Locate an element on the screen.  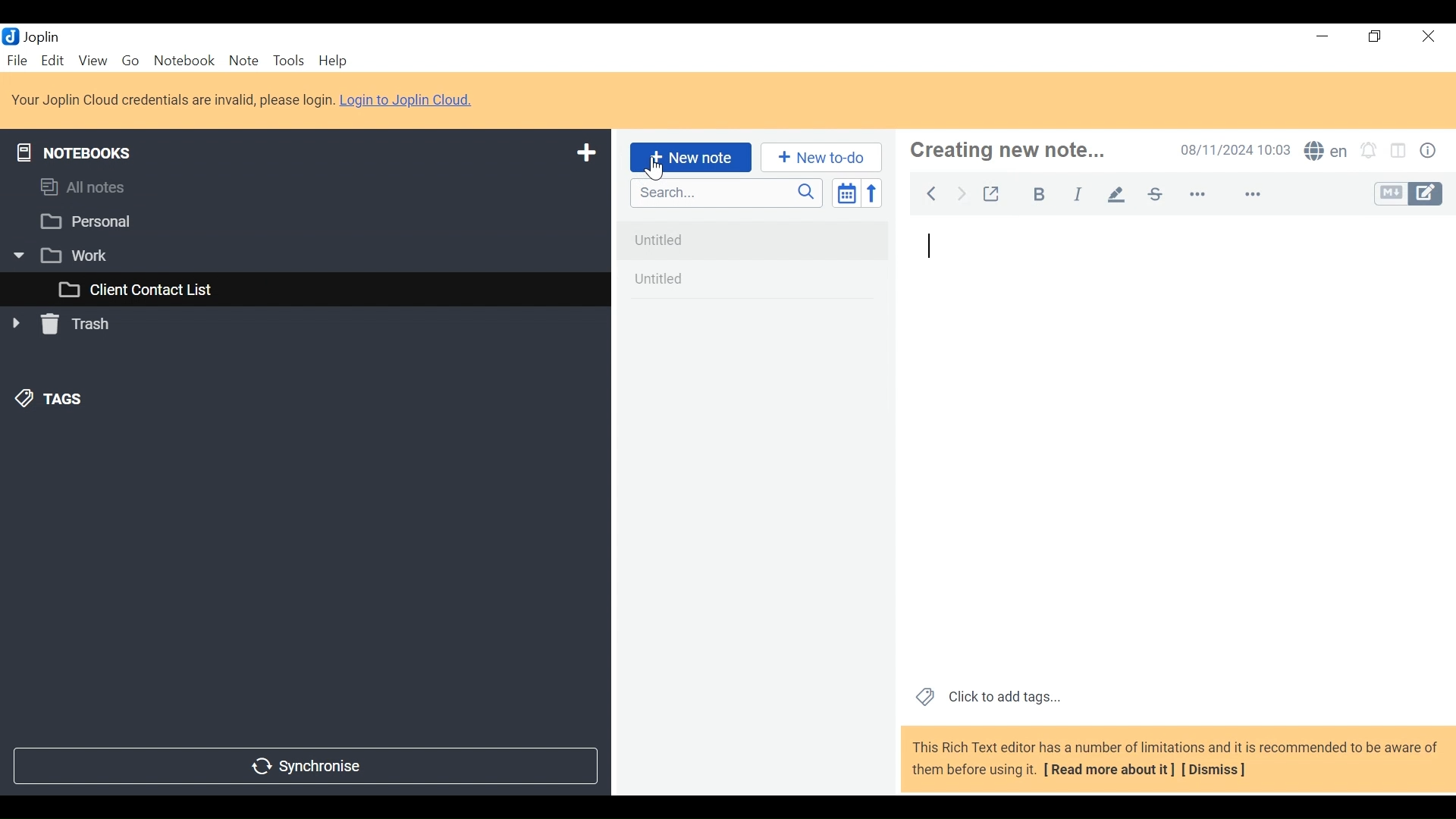
Note is located at coordinates (243, 61).